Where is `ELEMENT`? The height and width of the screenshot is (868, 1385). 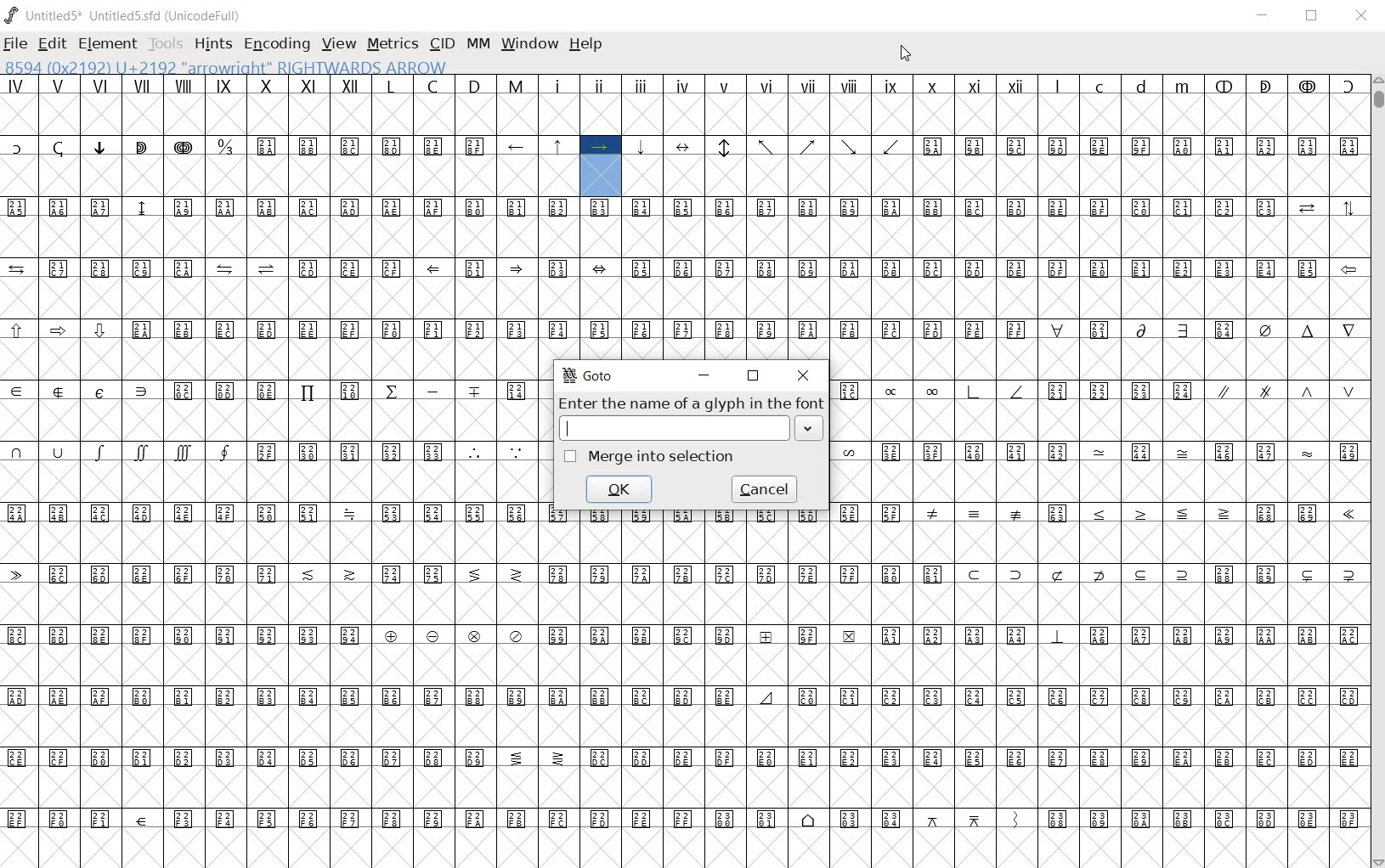 ELEMENT is located at coordinates (108, 45).